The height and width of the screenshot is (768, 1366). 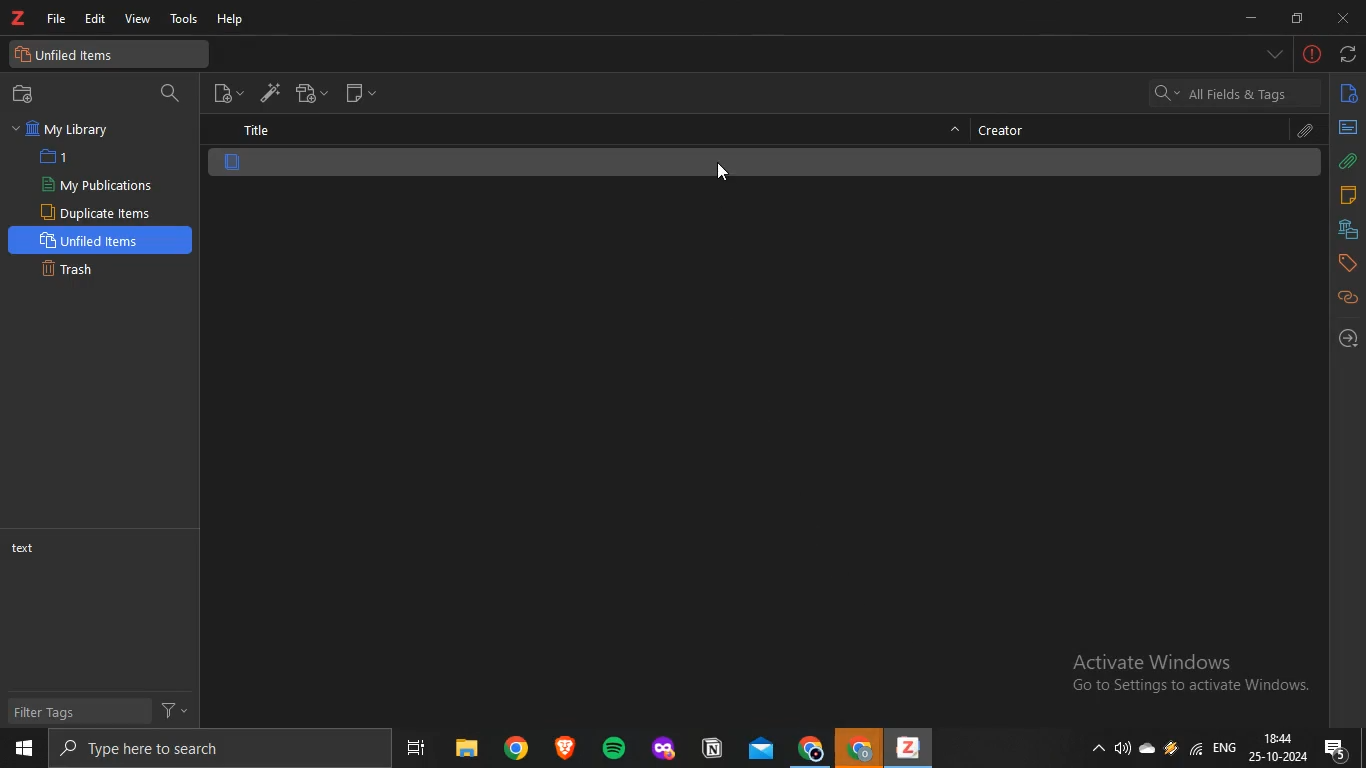 I want to click on close, so click(x=1343, y=19).